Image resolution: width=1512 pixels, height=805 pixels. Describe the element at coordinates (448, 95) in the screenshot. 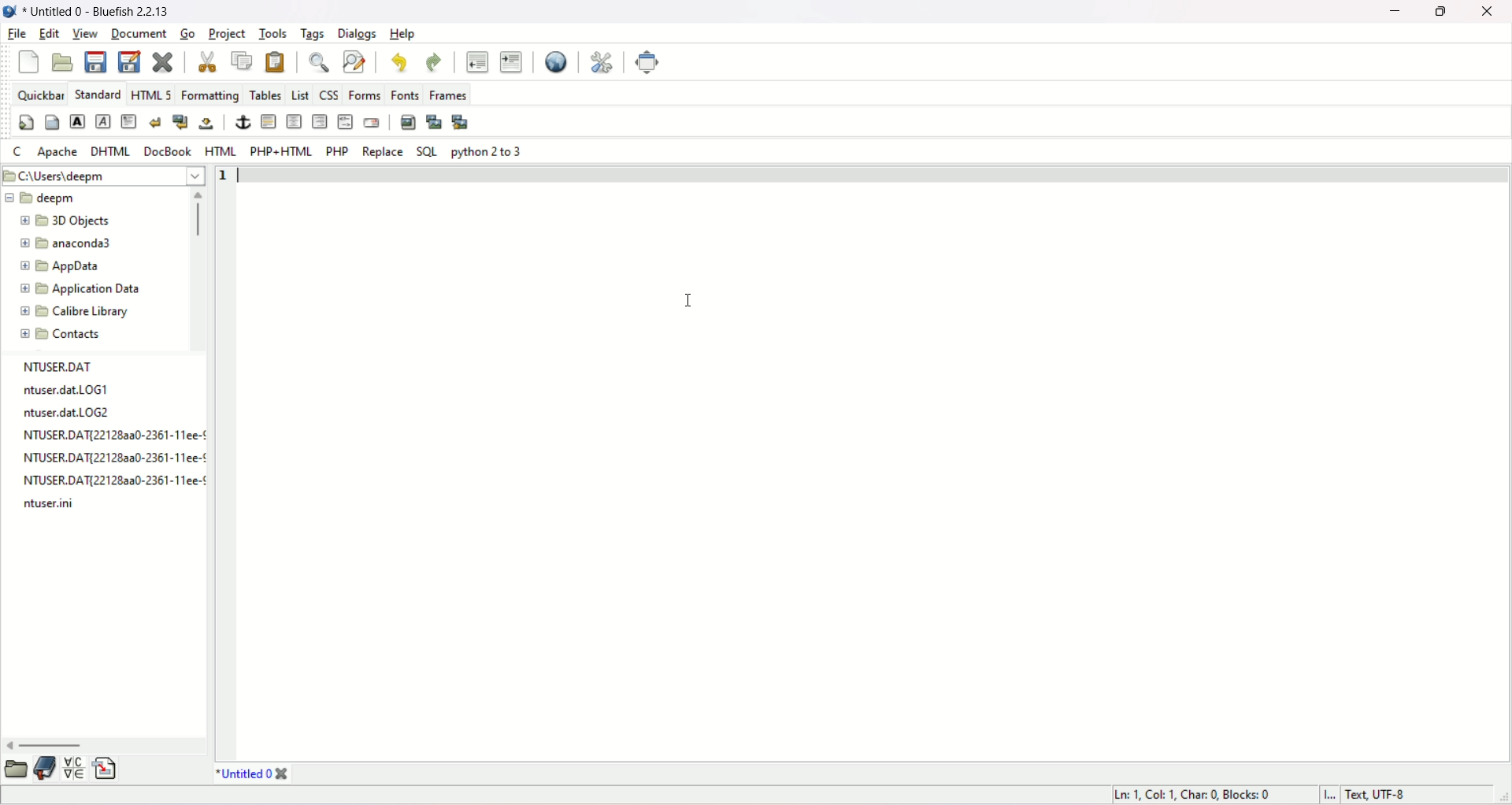

I see `frames` at that location.